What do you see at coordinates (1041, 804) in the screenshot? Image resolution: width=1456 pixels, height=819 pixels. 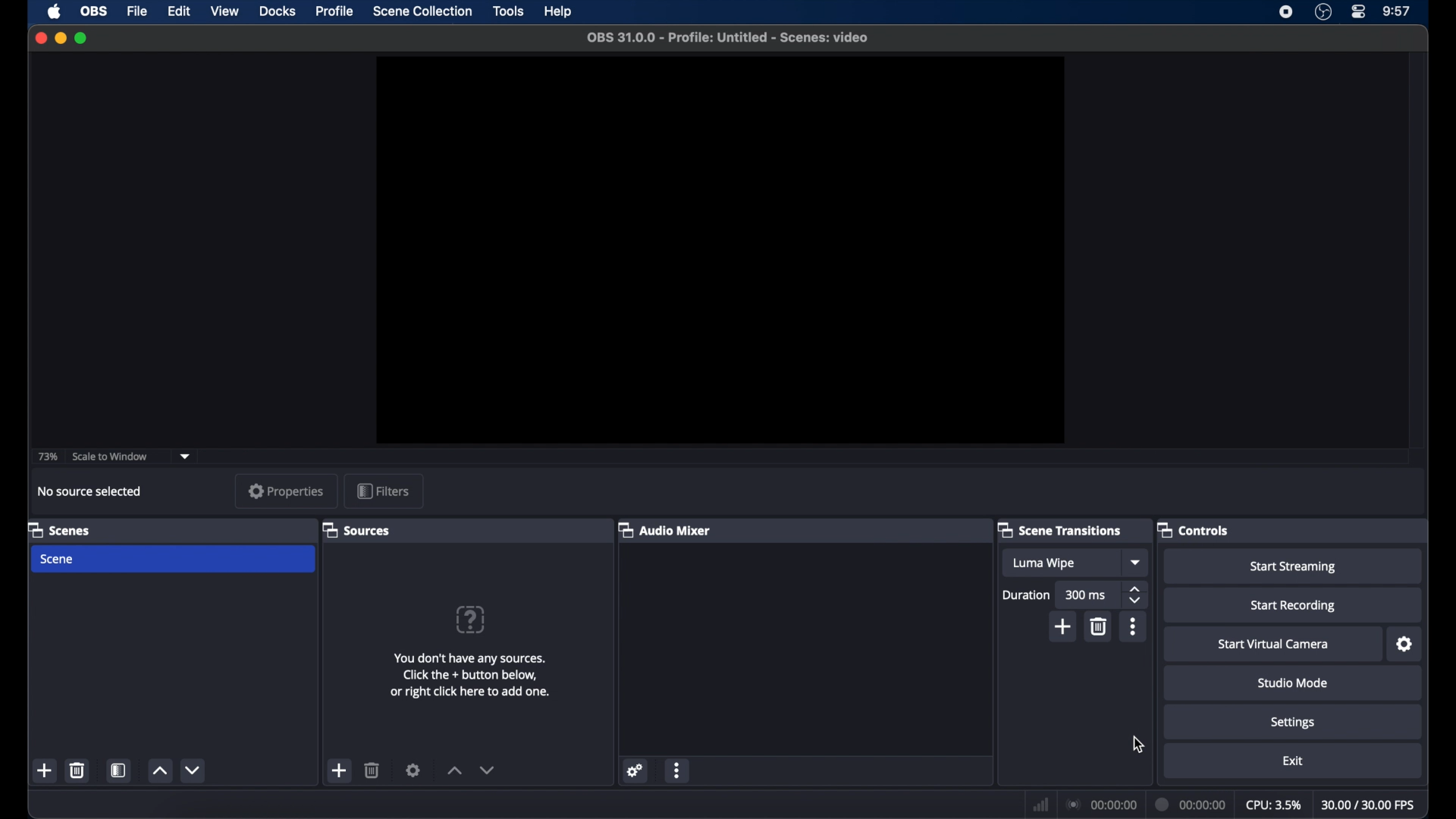 I see `network` at bounding box center [1041, 804].